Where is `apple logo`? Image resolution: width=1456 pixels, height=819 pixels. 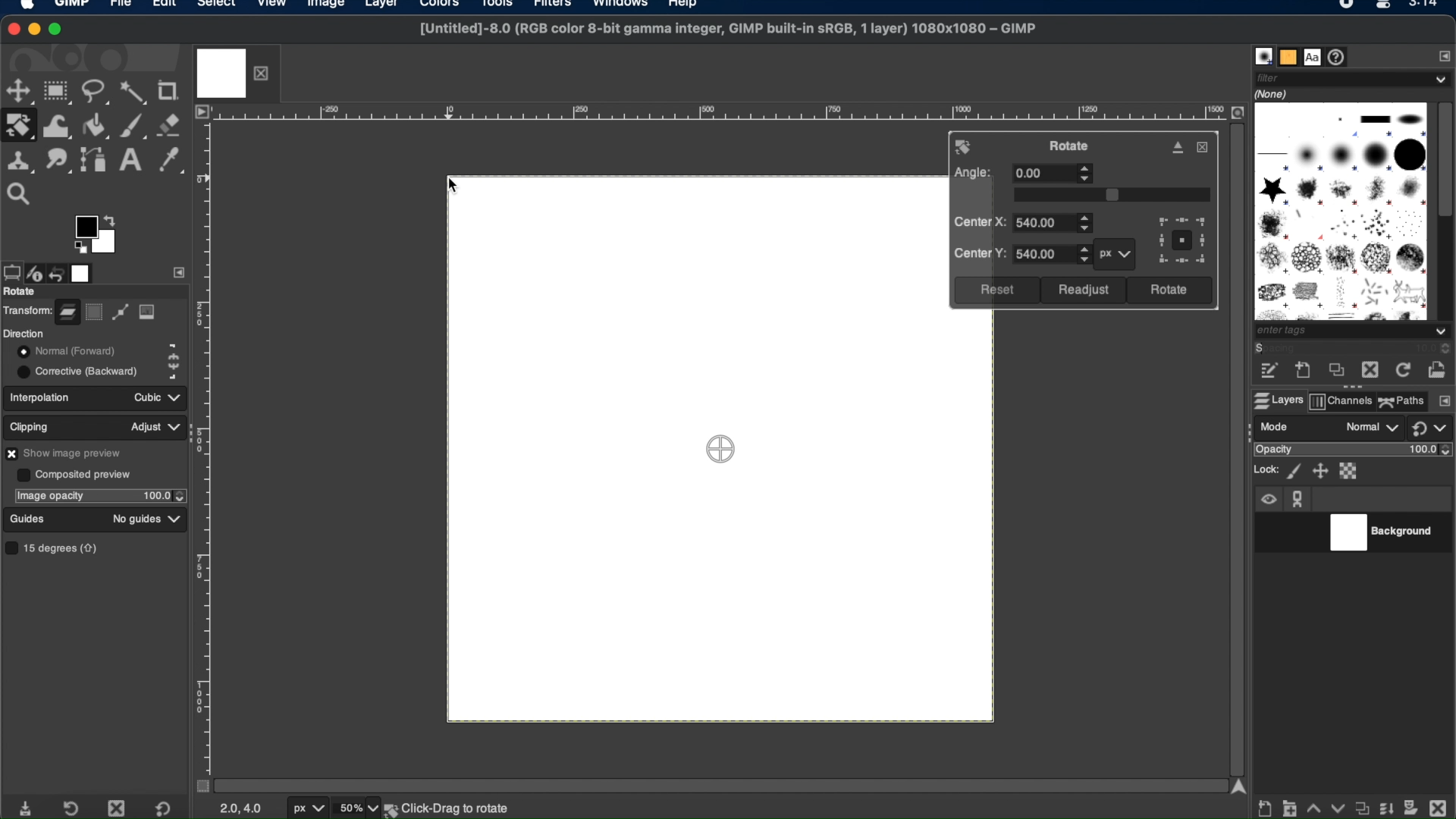
apple logo is located at coordinates (26, 8).